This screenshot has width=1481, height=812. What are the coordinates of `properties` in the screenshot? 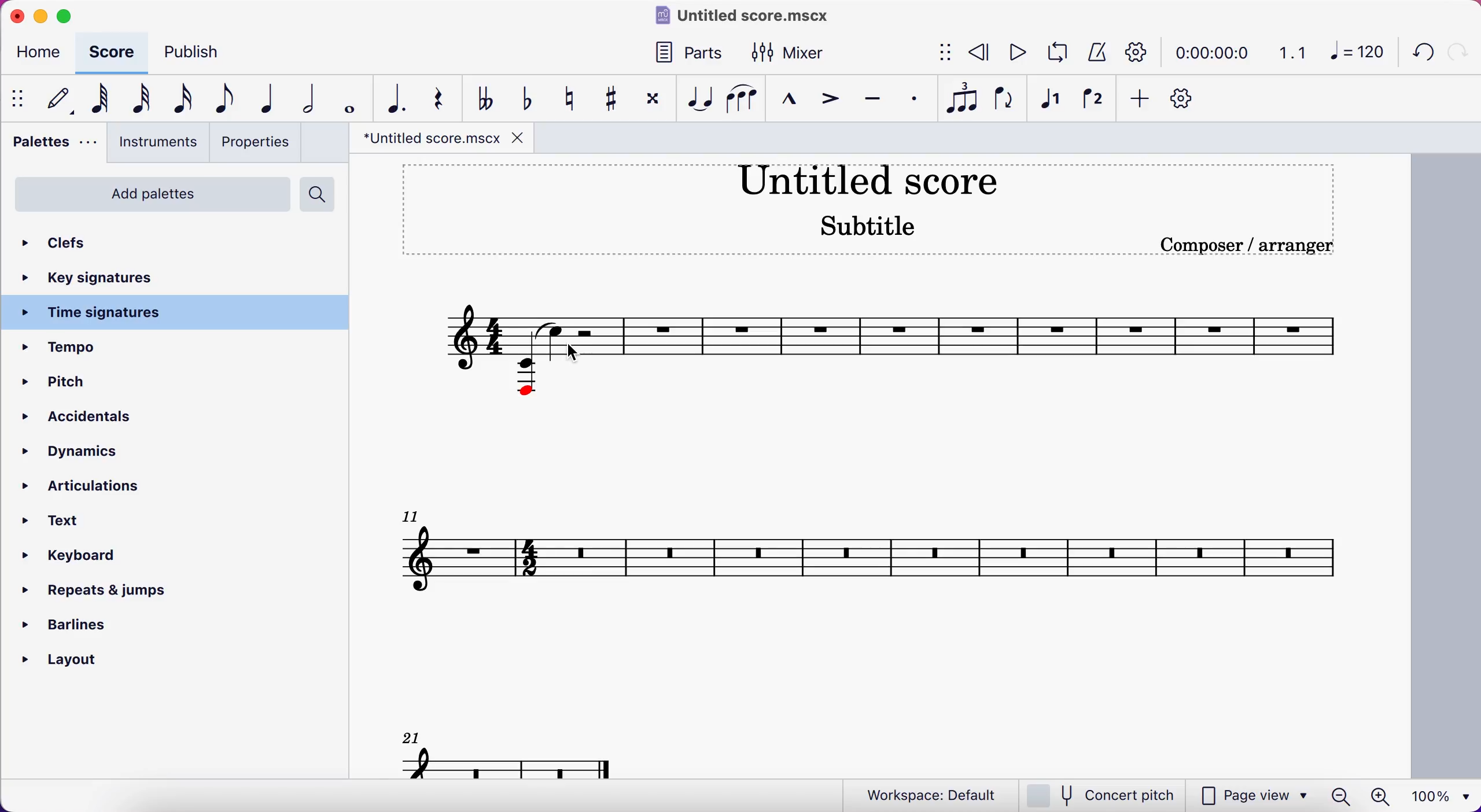 It's located at (260, 143).